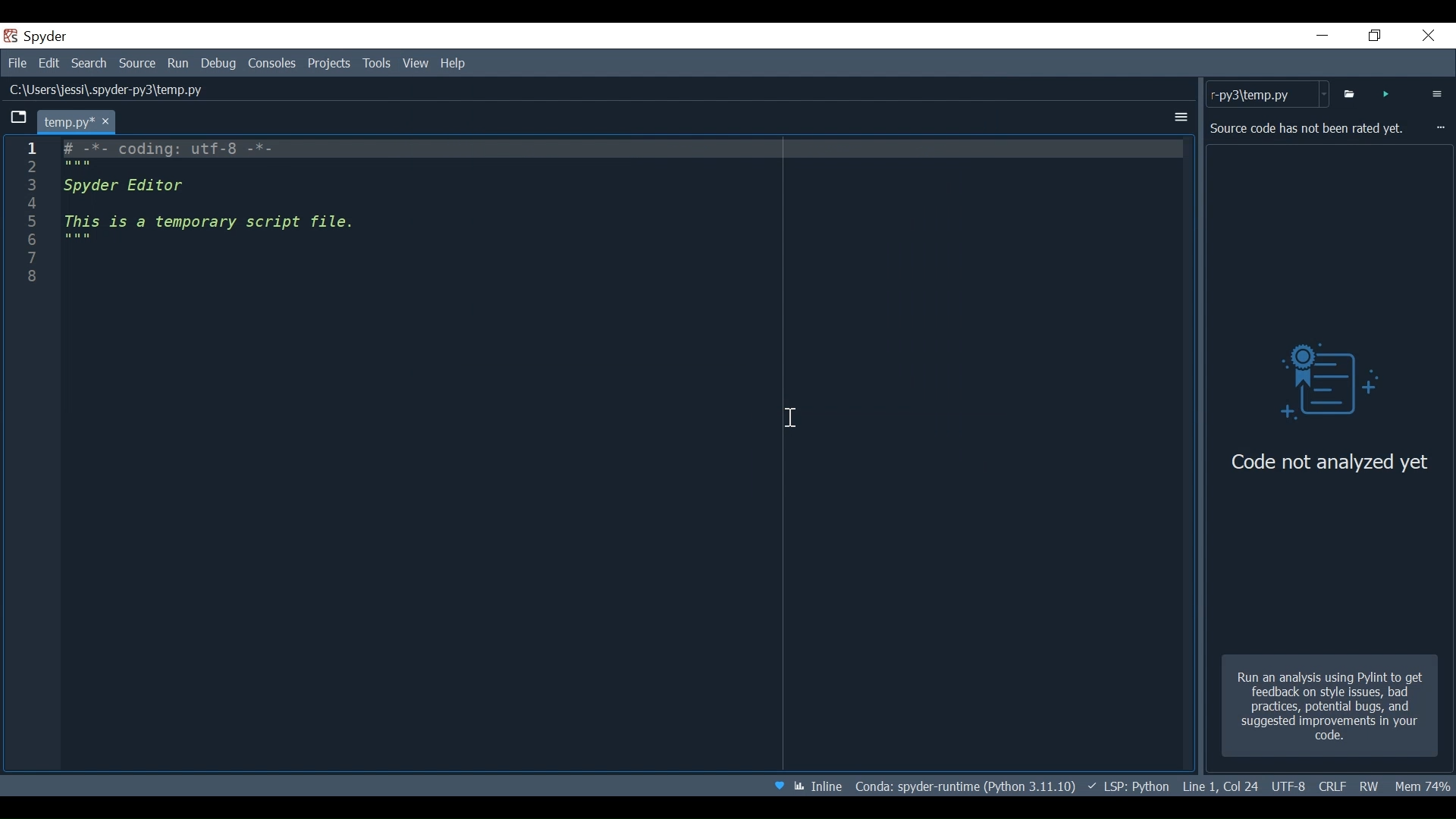 This screenshot has width=1456, height=819. I want to click on minimize, so click(1321, 35).